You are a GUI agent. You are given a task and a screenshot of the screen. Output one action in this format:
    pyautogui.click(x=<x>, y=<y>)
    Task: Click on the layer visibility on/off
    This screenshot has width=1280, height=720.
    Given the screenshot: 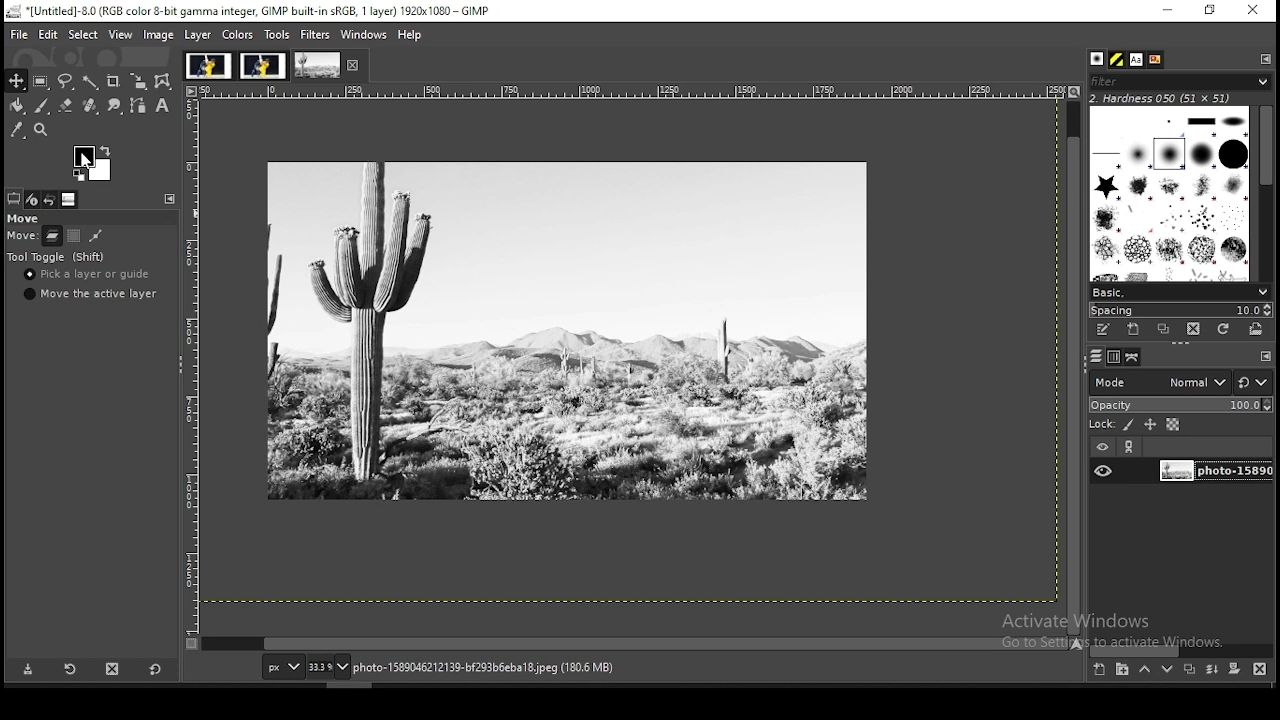 What is the action you would take?
    pyautogui.click(x=1103, y=472)
    